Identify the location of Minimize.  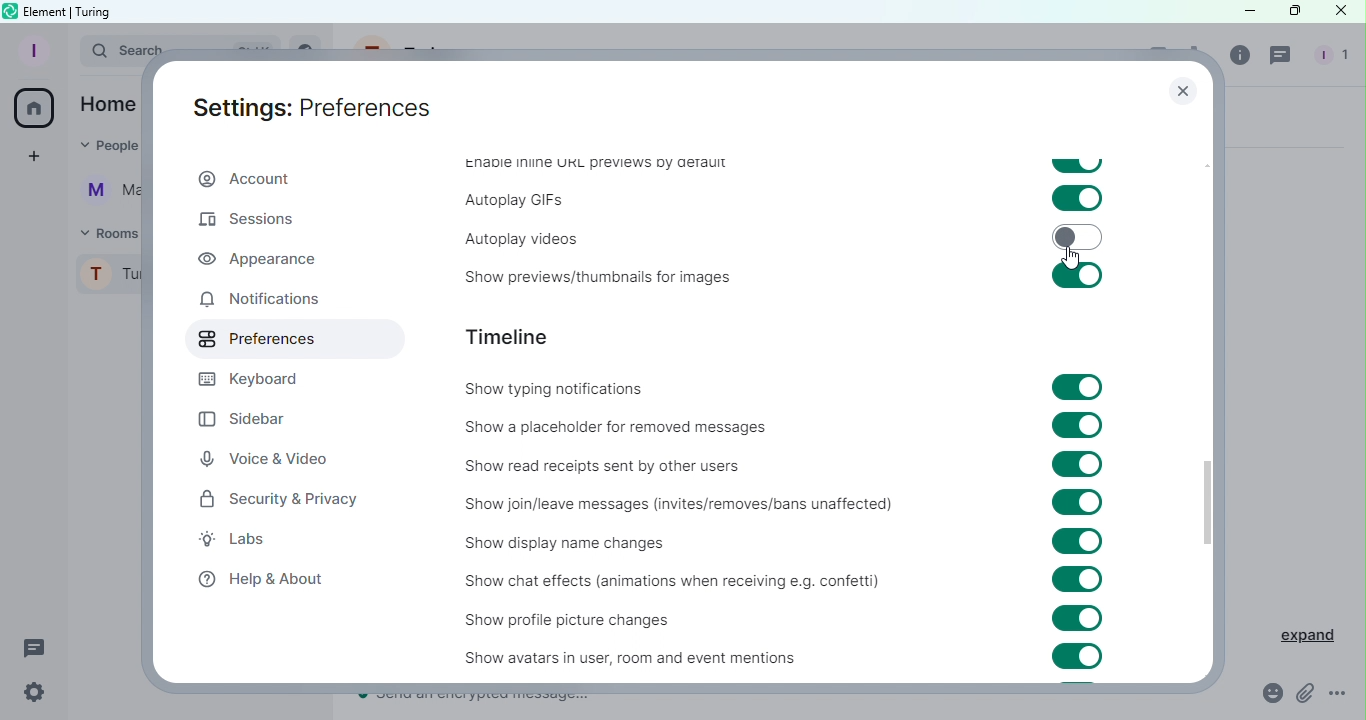
(1237, 12).